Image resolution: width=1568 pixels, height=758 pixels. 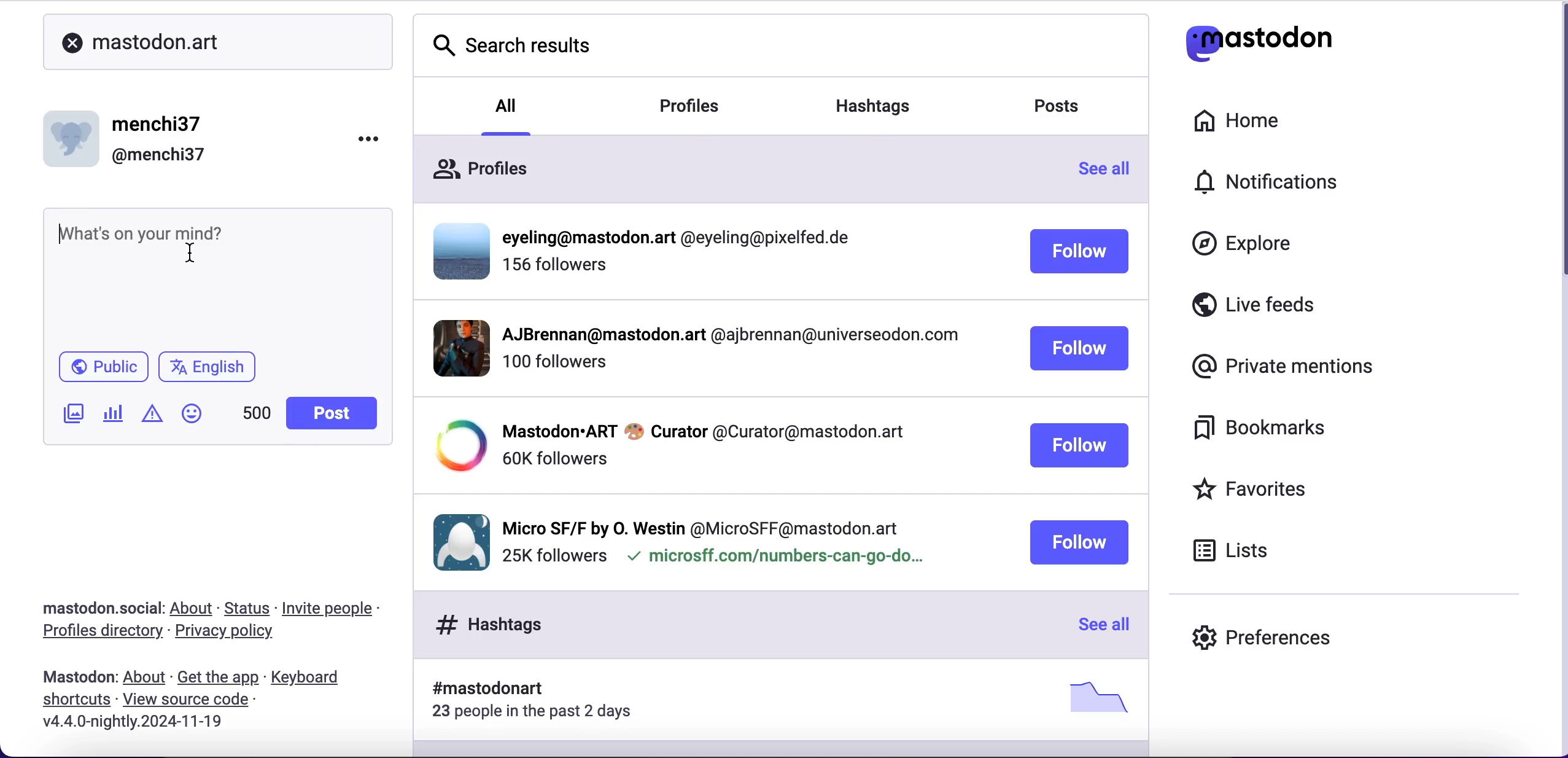 What do you see at coordinates (117, 417) in the screenshot?
I see `add poll` at bounding box center [117, 417].